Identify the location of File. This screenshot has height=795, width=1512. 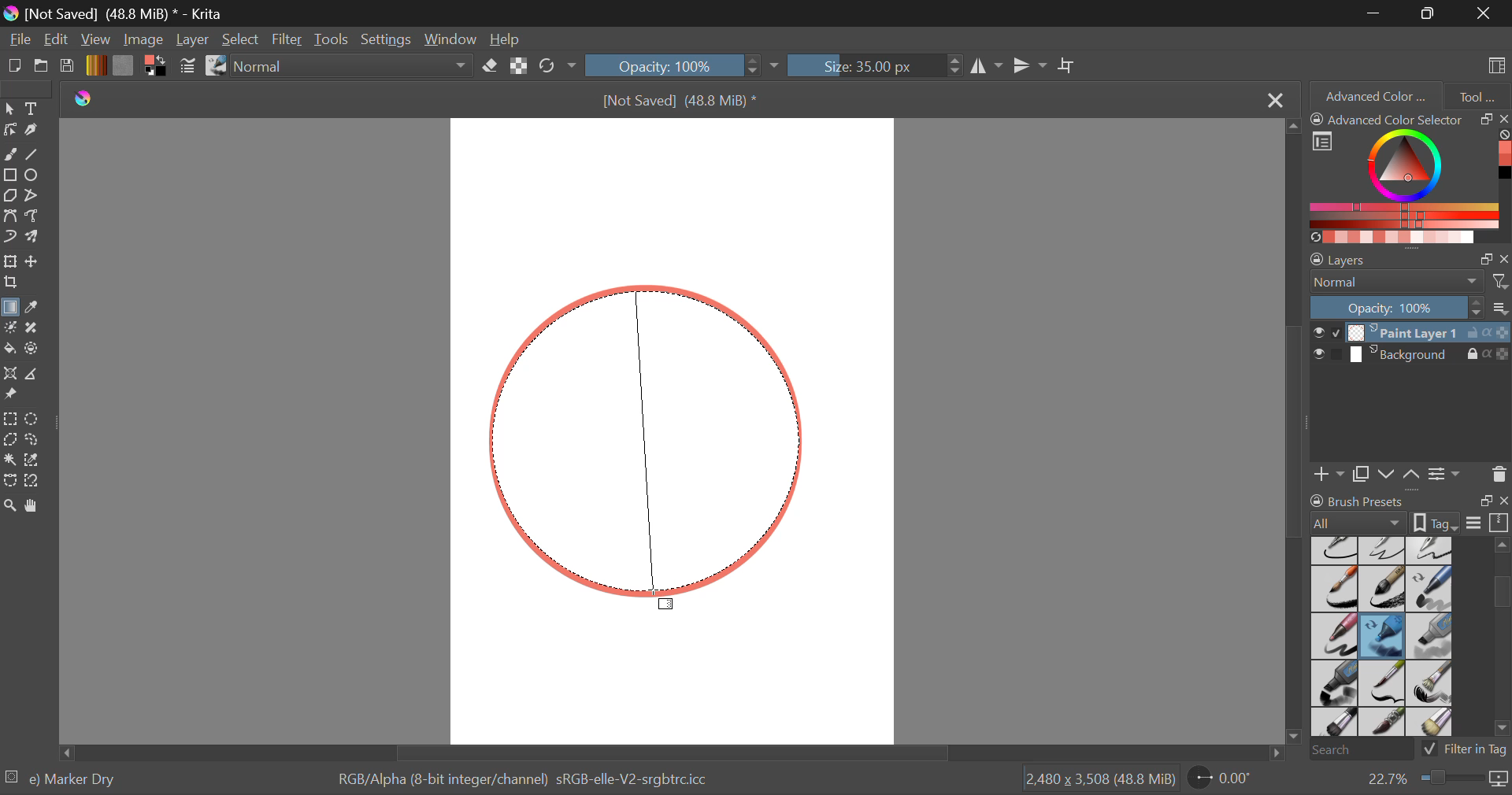
(20, 41).